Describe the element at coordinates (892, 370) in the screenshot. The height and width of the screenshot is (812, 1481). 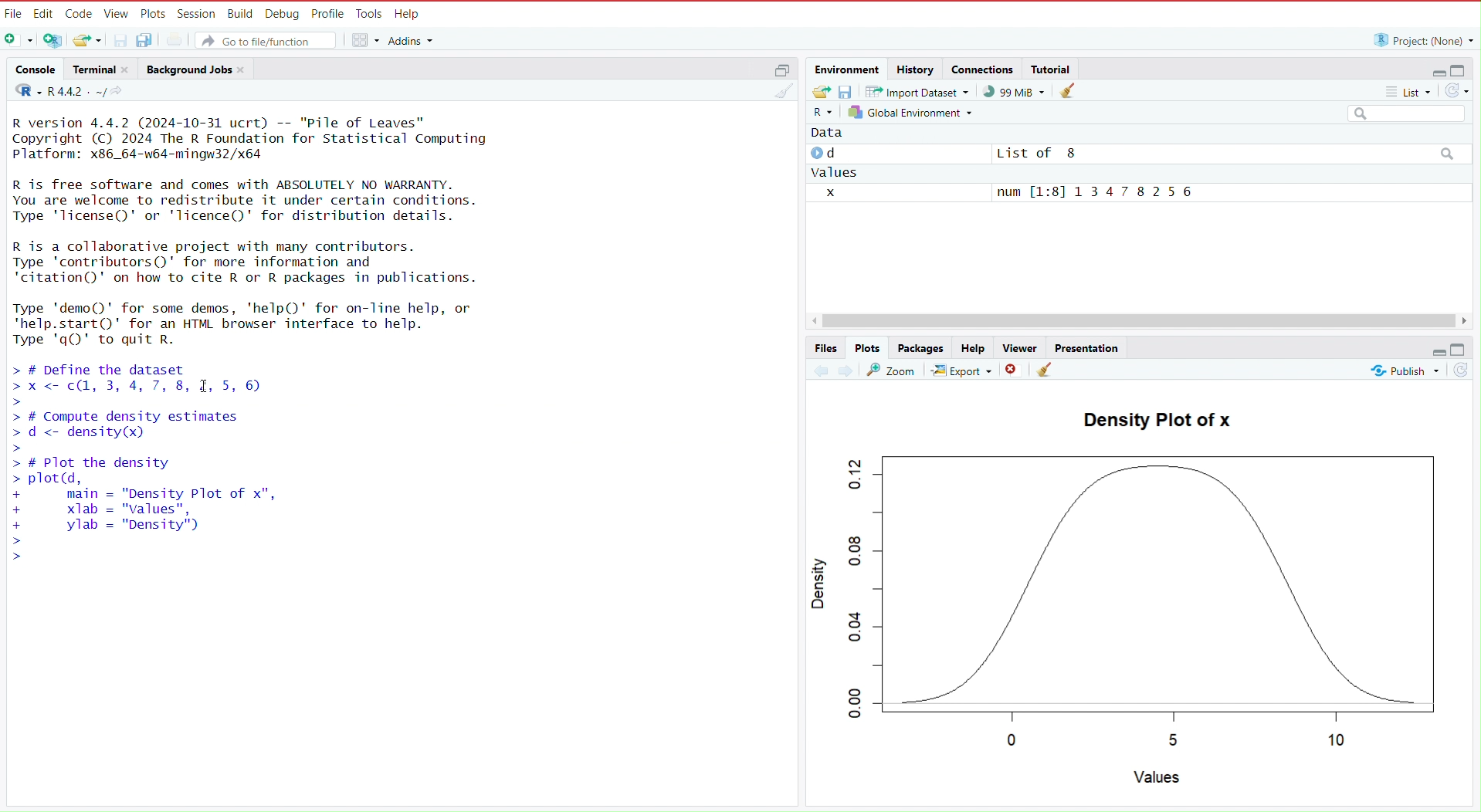
I see `view a larger version of plot in new window` at that location.